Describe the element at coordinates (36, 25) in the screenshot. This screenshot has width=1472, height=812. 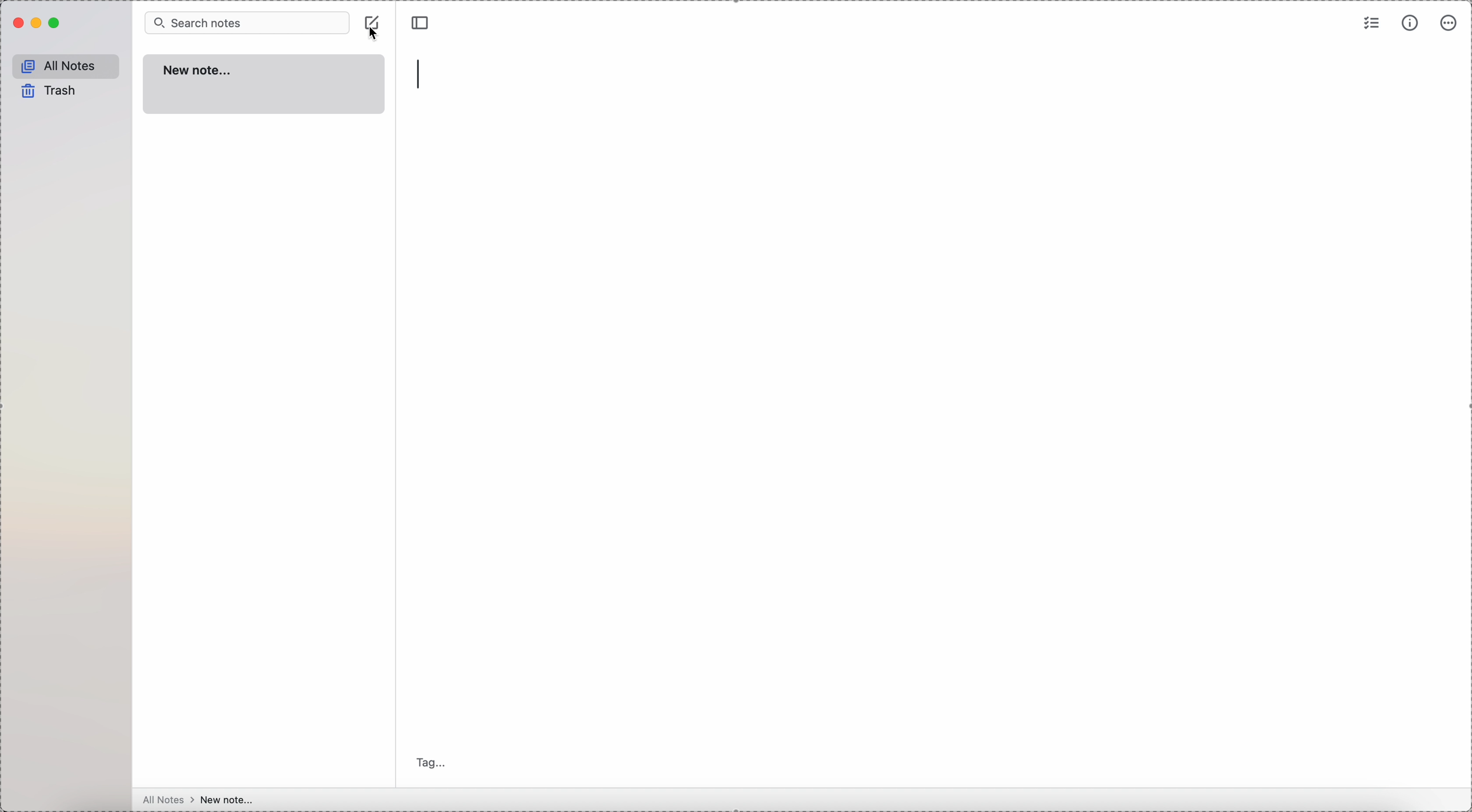
I see `minimize Simplenote` at that location.